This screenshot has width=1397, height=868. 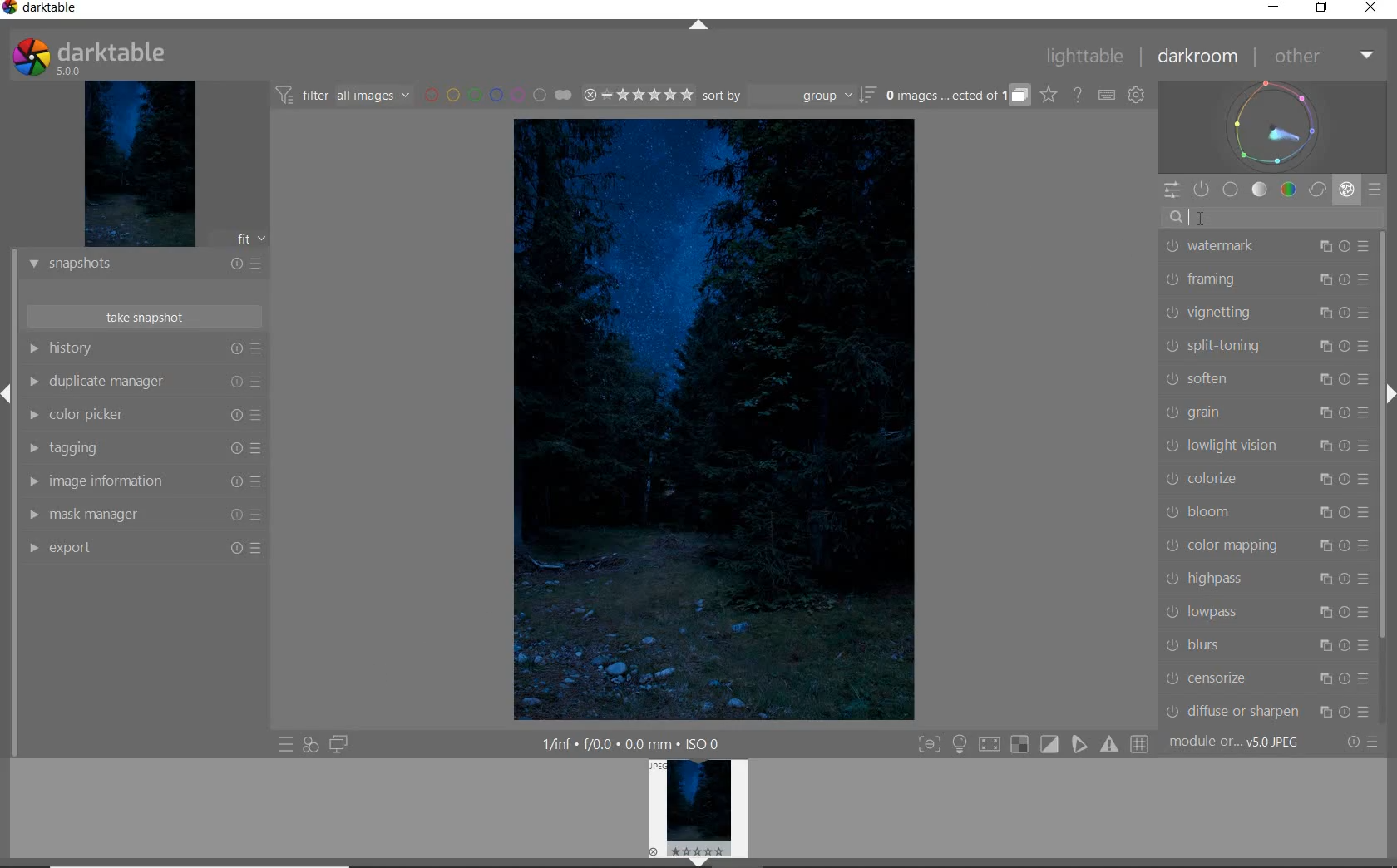 I want to click on HISTORY, so click(x=141, y=348).